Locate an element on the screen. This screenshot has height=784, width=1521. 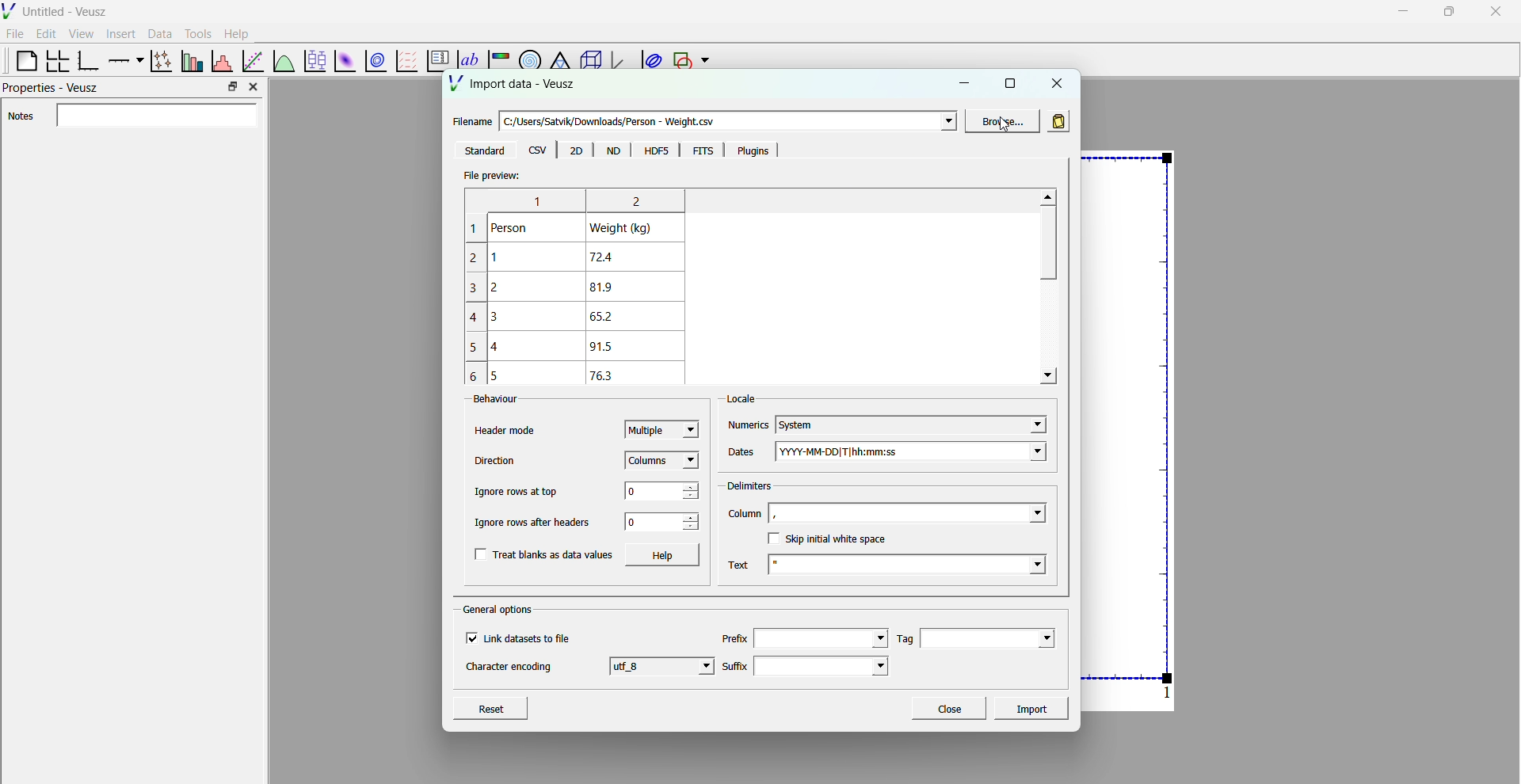
Arrange a graph in a grid is located at coordinates (56, 62).